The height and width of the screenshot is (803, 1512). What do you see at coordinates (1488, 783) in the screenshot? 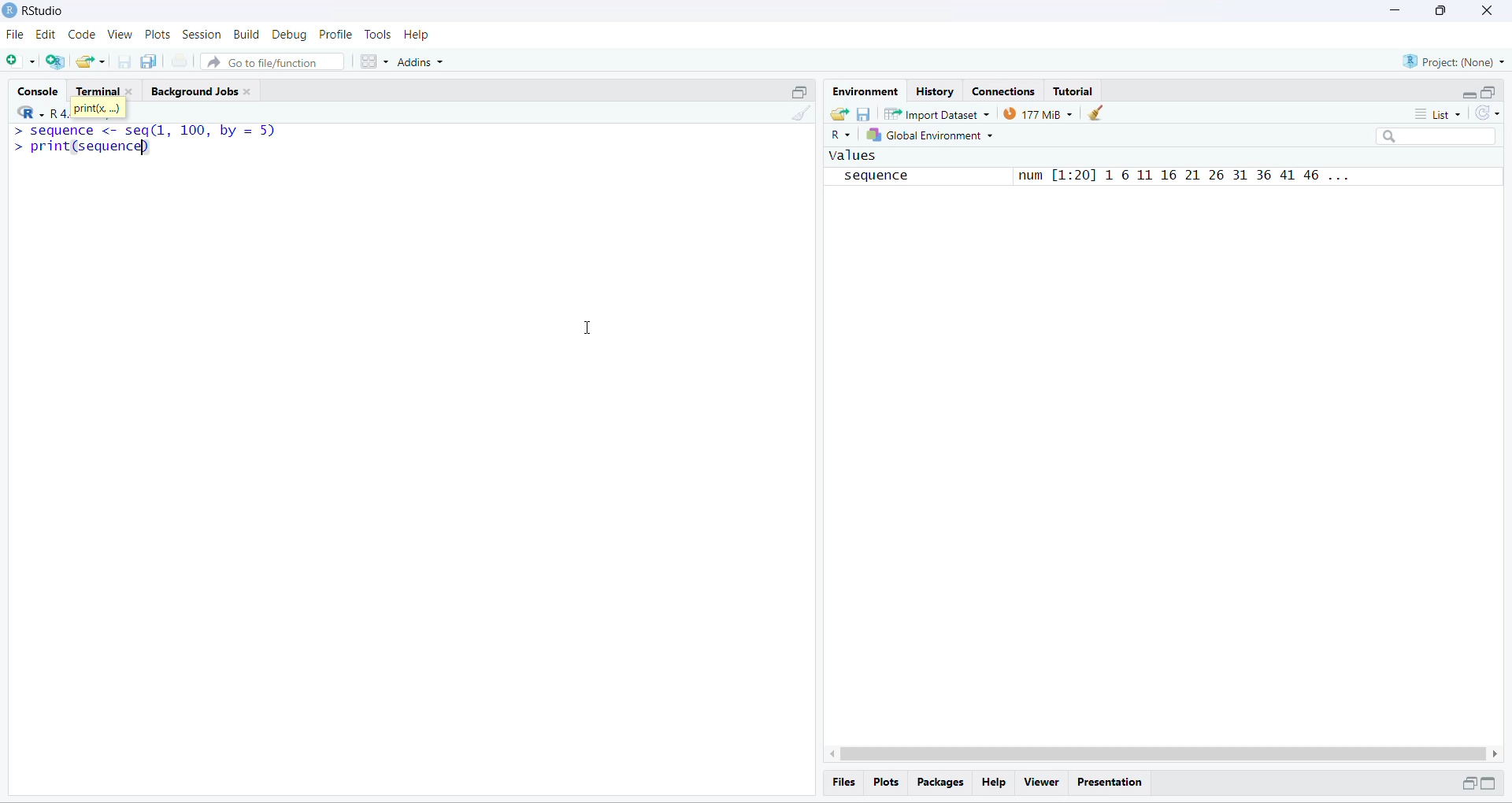
I see `Expand/collapse` at bounding box center [1488, 783].